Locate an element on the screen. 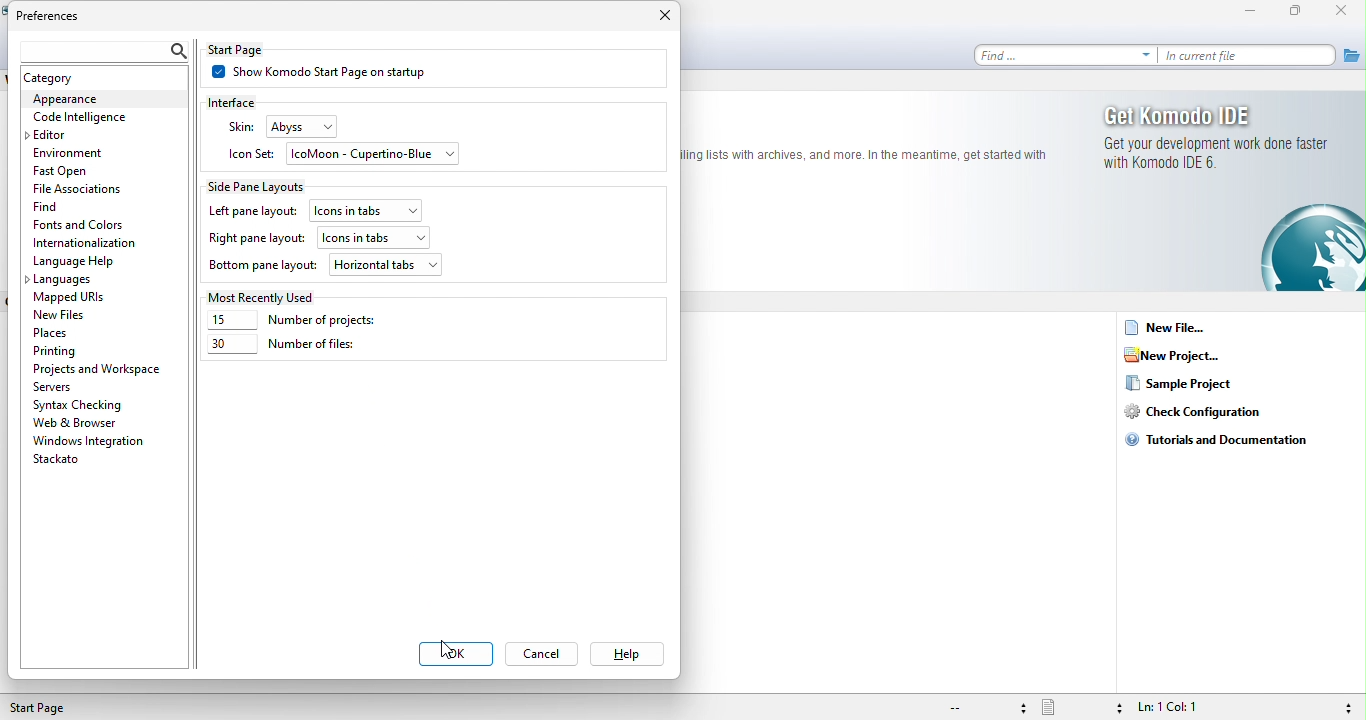 Image resolution: width=1366 pixels, height=720 pixels. file encoding is located at coordinates (985, 708).